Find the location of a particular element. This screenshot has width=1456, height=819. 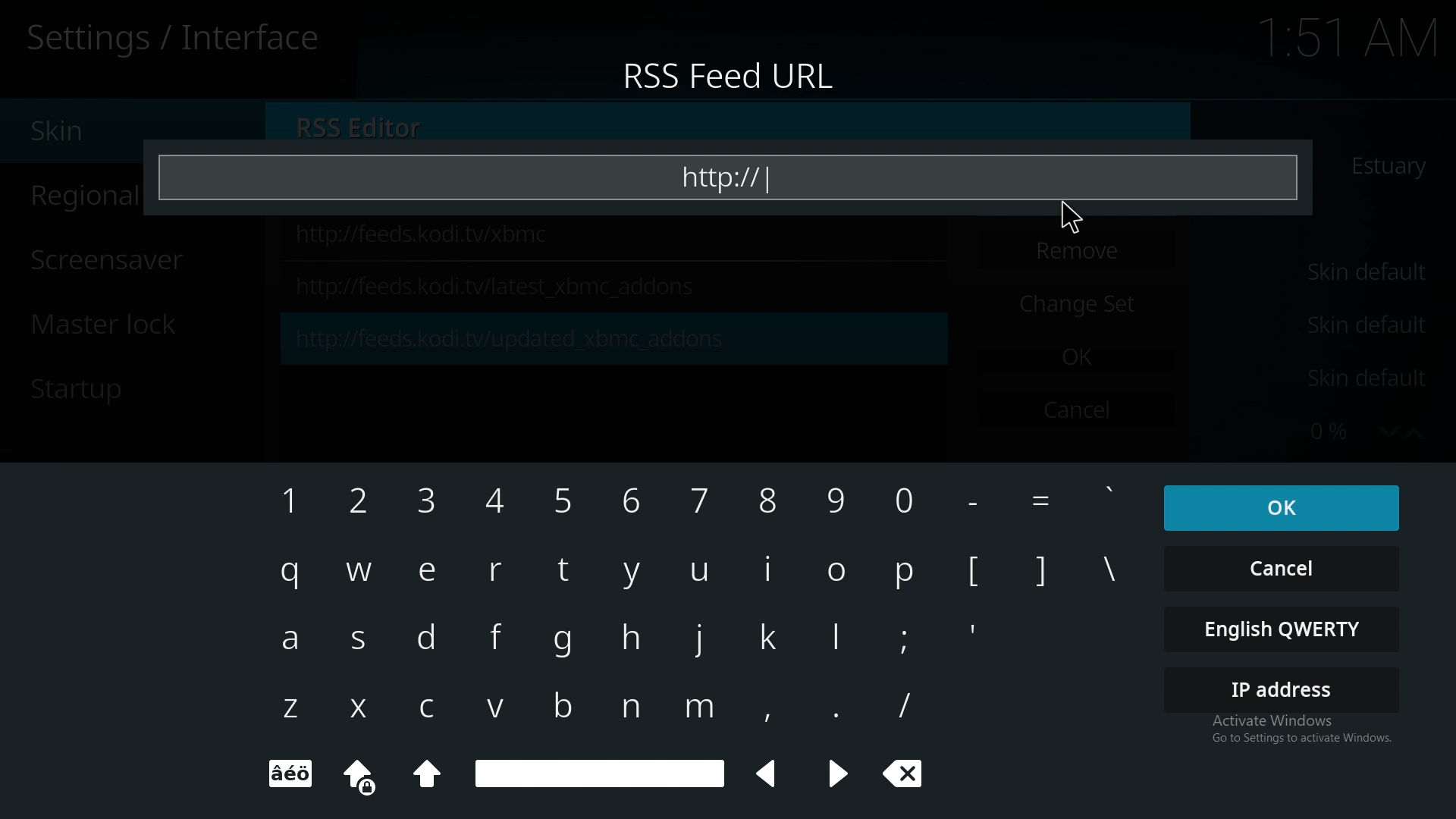

left is located at coordinates (771, 776).